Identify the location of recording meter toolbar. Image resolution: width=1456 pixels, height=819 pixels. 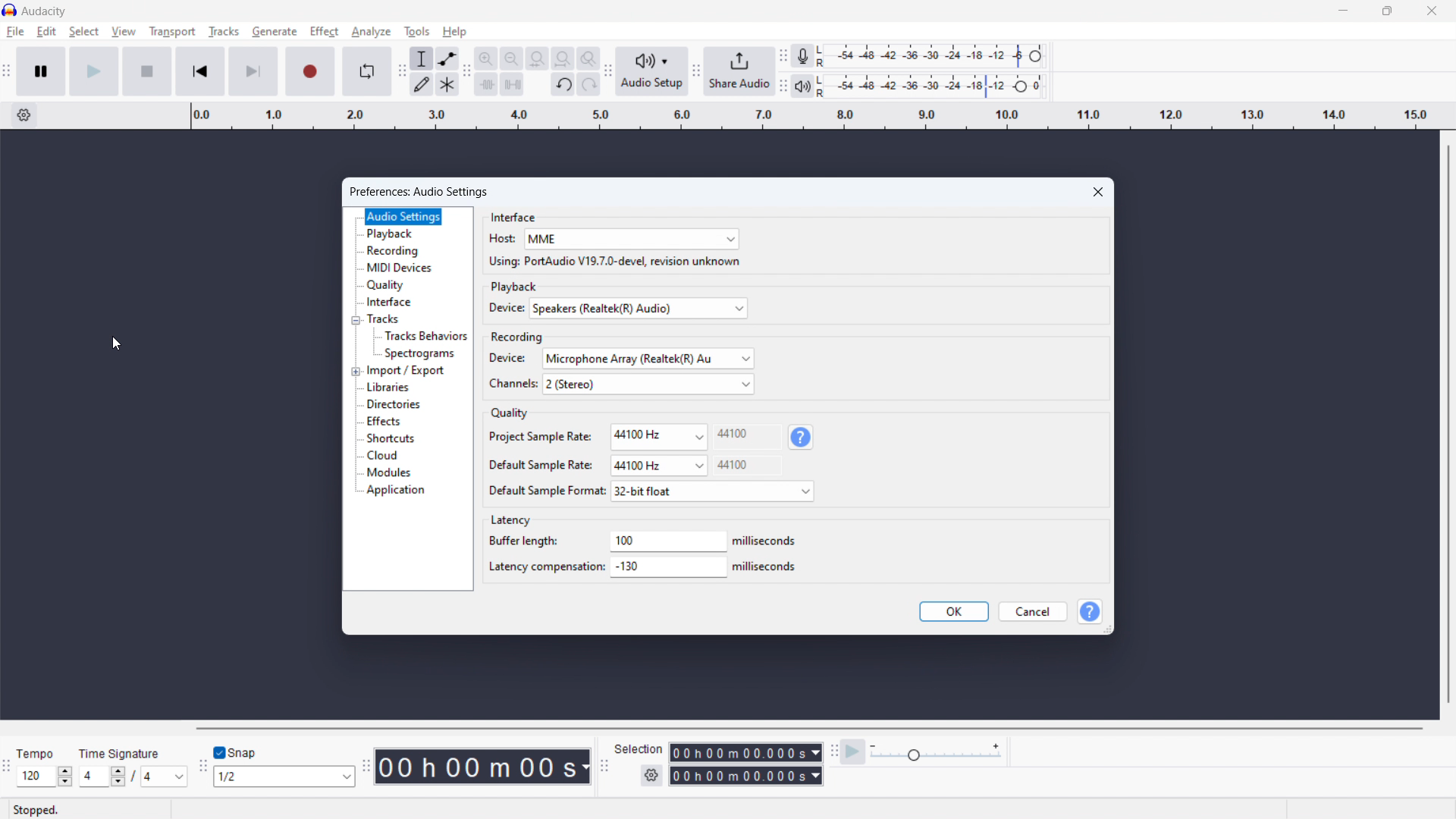
(783, 55).